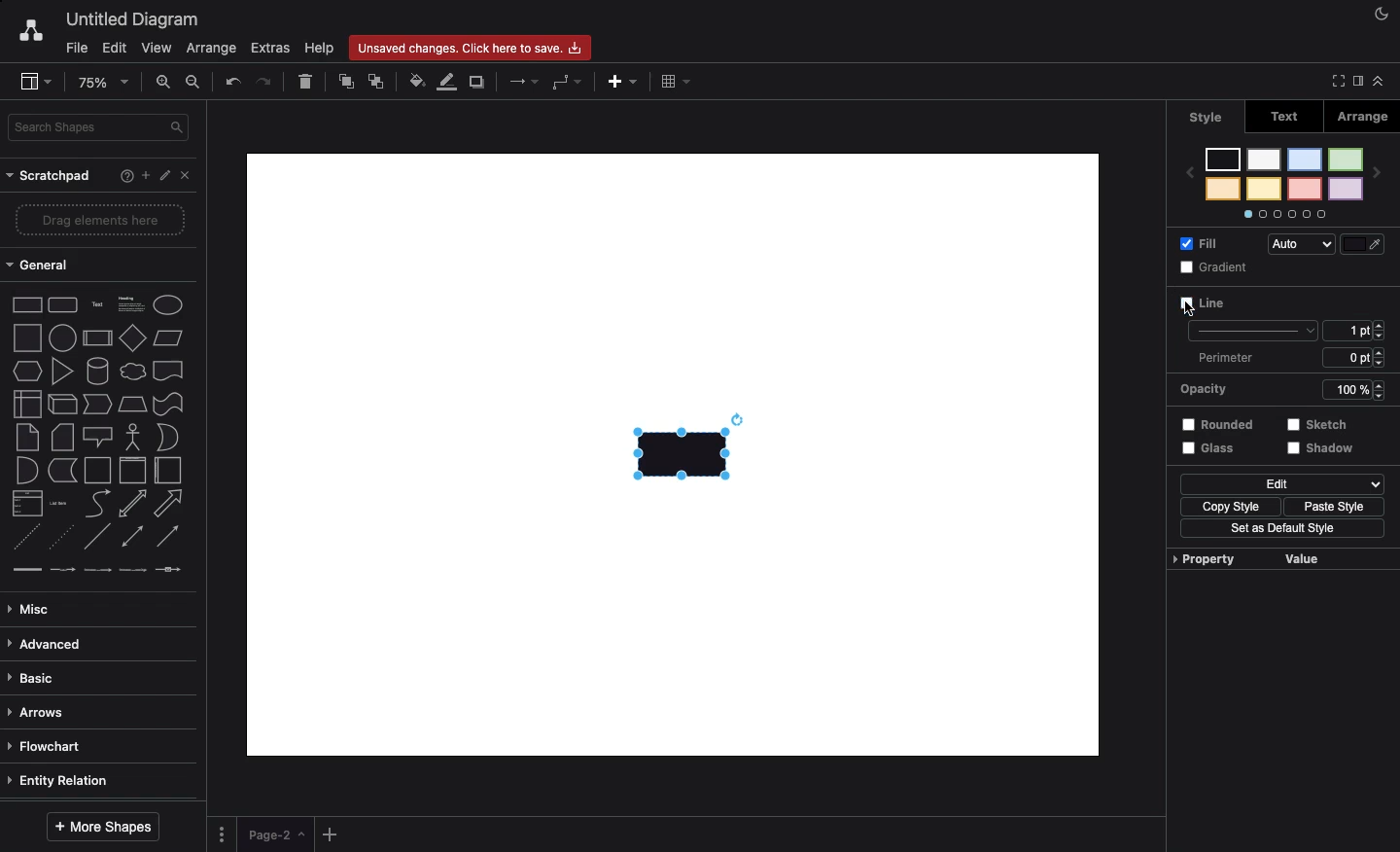  Describe the element at coordinates (275, 834) in the screenshot. I see `Page` at that location.